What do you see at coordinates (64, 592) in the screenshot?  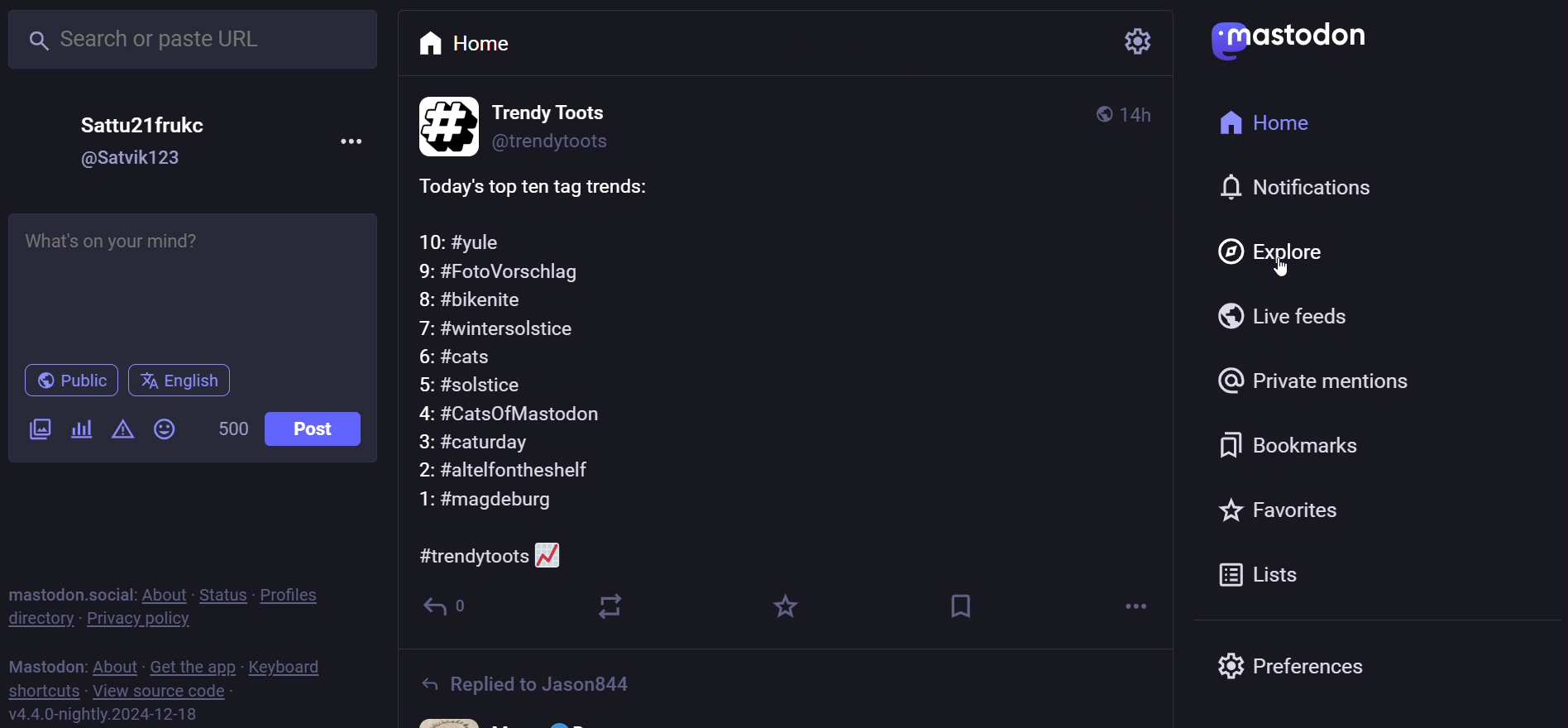 I see `mastodon social` at bounding box center [64, 592].